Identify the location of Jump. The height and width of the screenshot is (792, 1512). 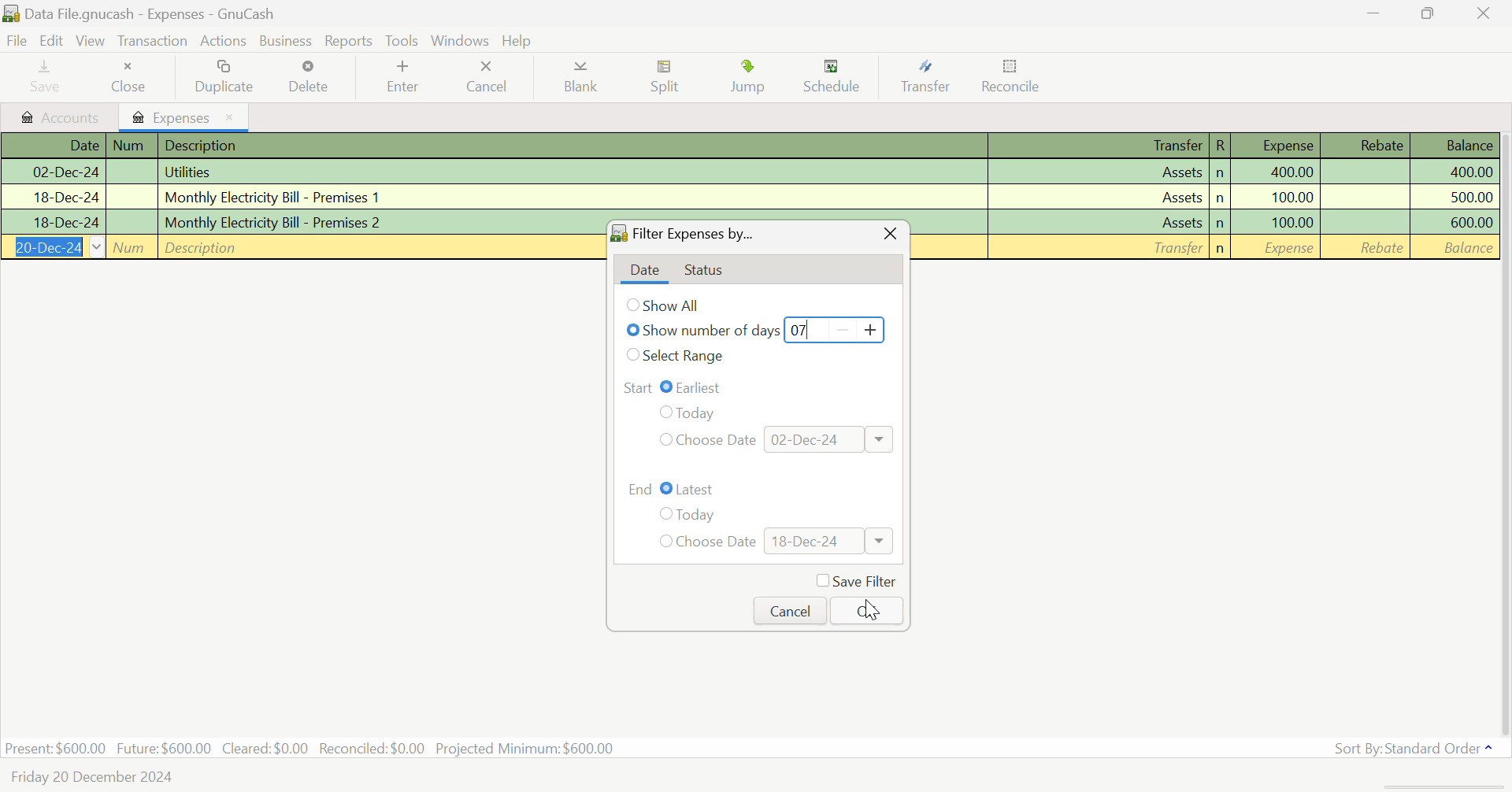
(747, 79).